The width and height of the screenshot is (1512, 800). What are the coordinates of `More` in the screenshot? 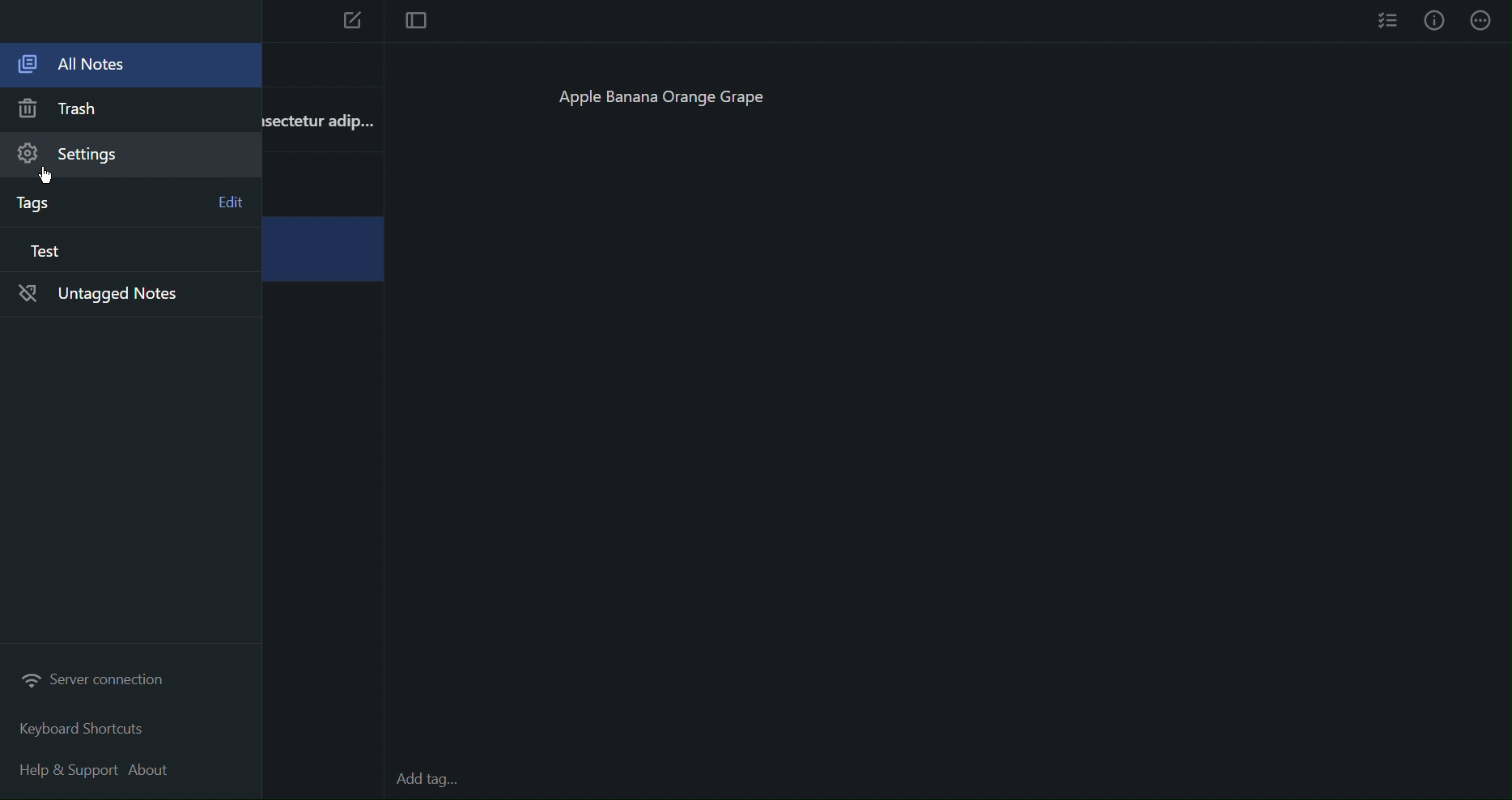 It's located at (1483, 20).